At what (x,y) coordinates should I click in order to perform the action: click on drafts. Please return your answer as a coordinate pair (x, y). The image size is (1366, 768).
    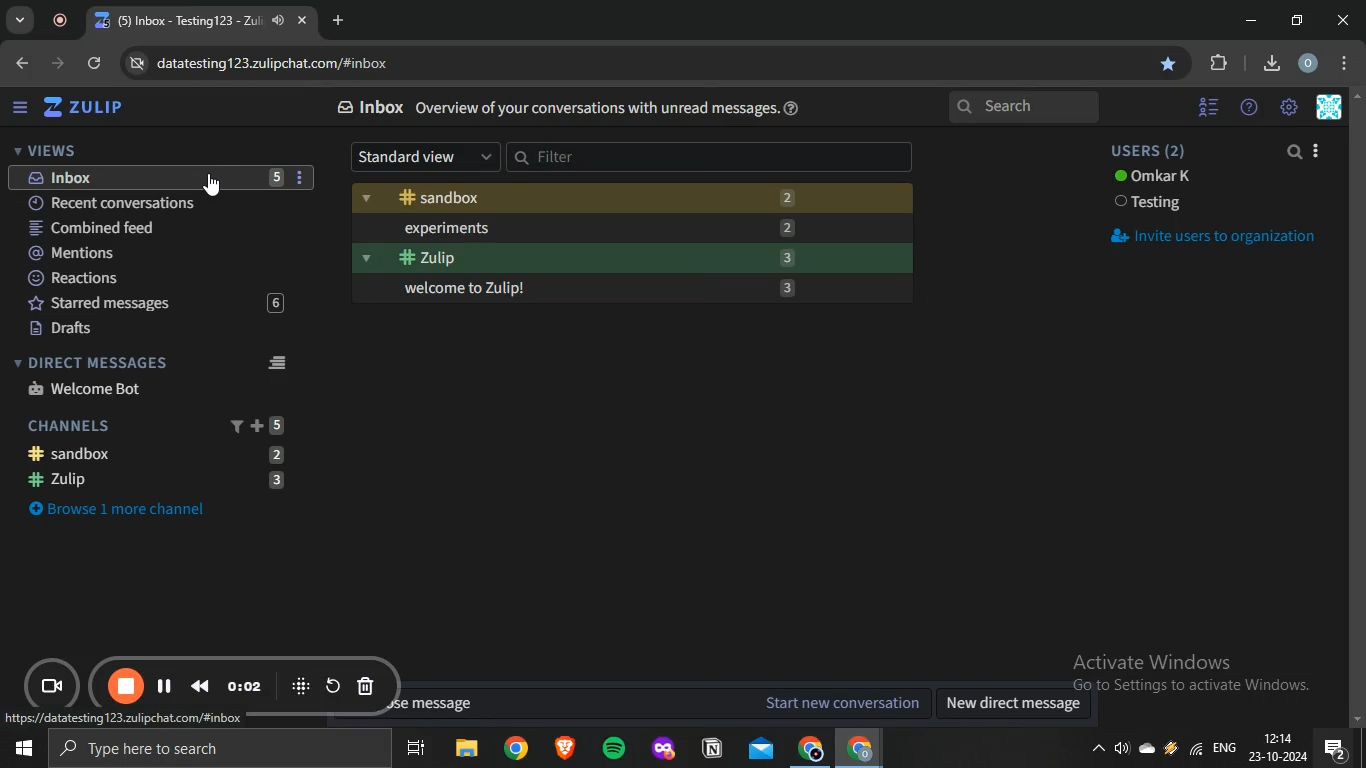
    Looking at the image, I should click on (151, 329).